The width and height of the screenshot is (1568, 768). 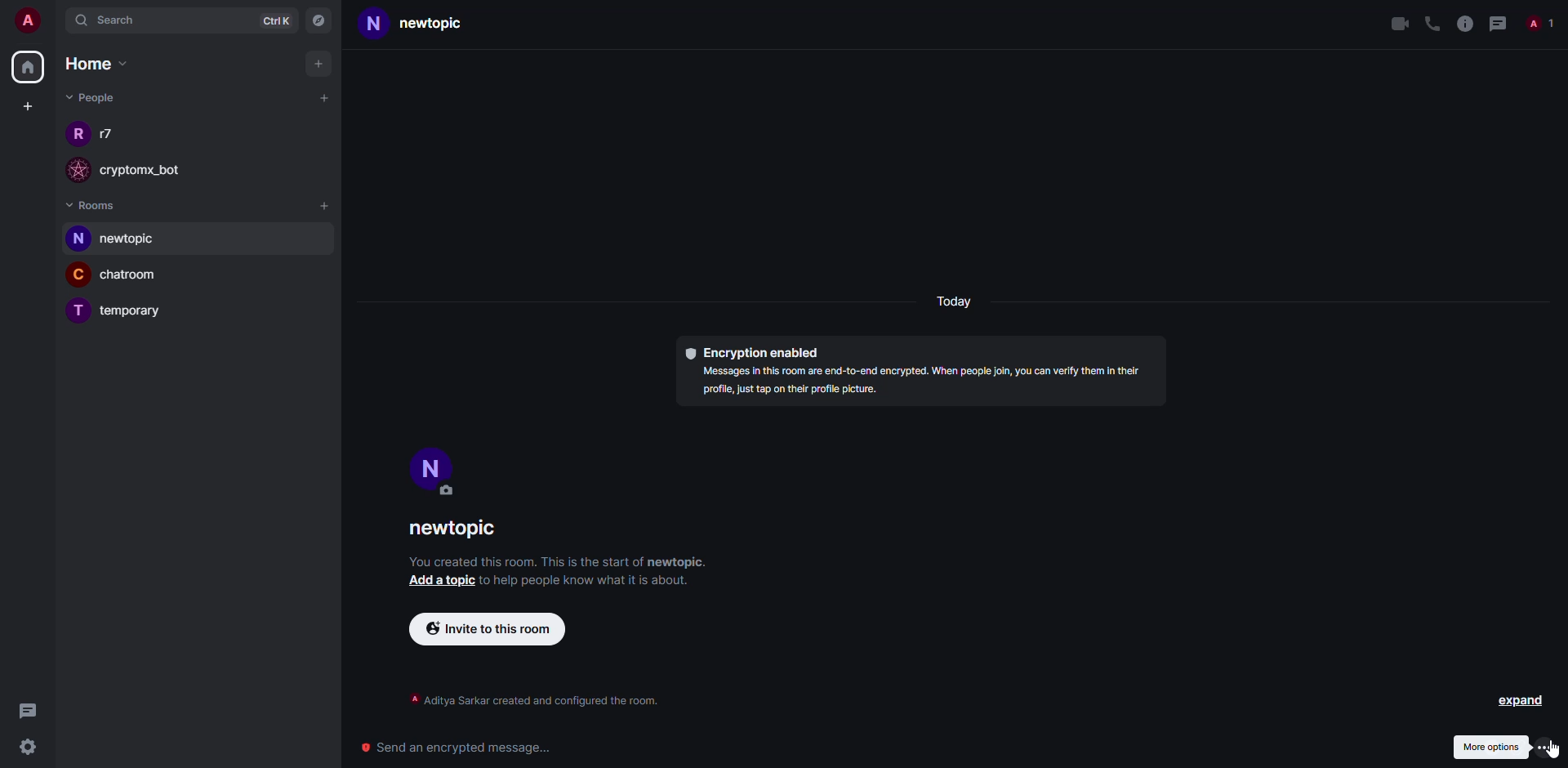 What do you see at coordinates (925, 384) in the screenshot?
I see `info` at bounding box center [925, 384].